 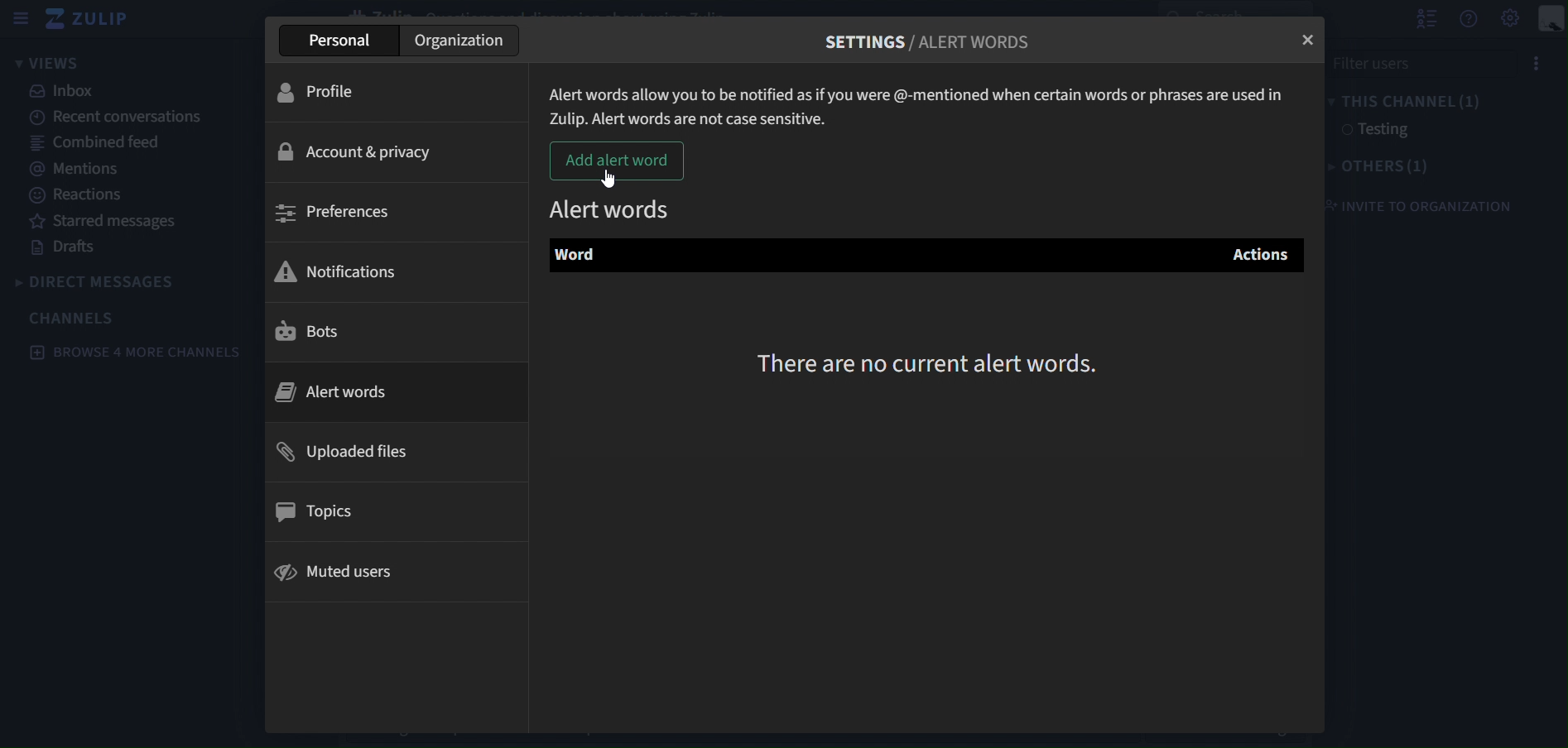 What do you see at coordinates (1468, 19) in the screenshot?
I see `get help` at bounding box center [1468, 19].